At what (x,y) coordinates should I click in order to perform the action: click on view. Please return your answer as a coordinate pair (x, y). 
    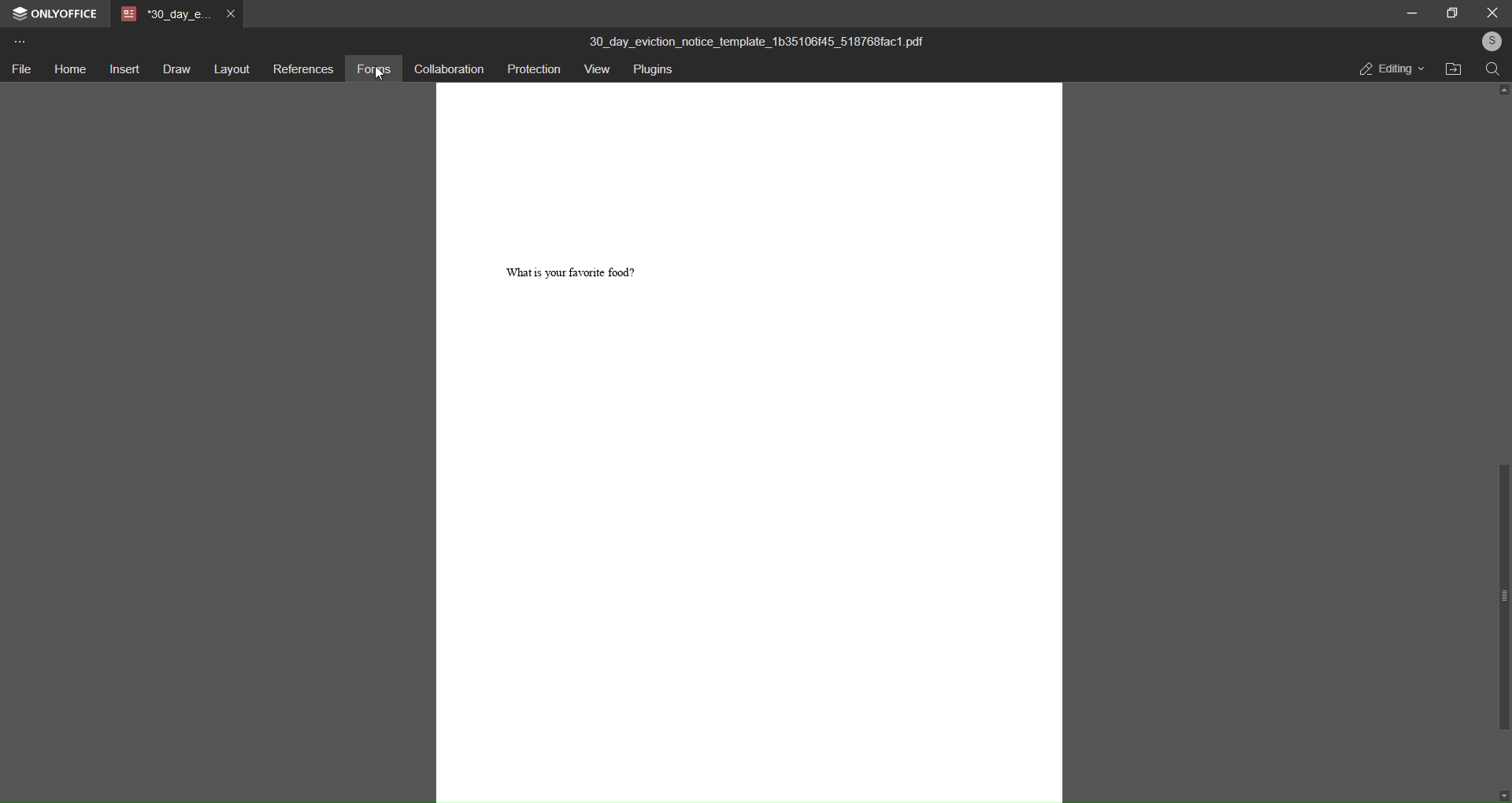
    Looking at the image, I should click on (595, 70).